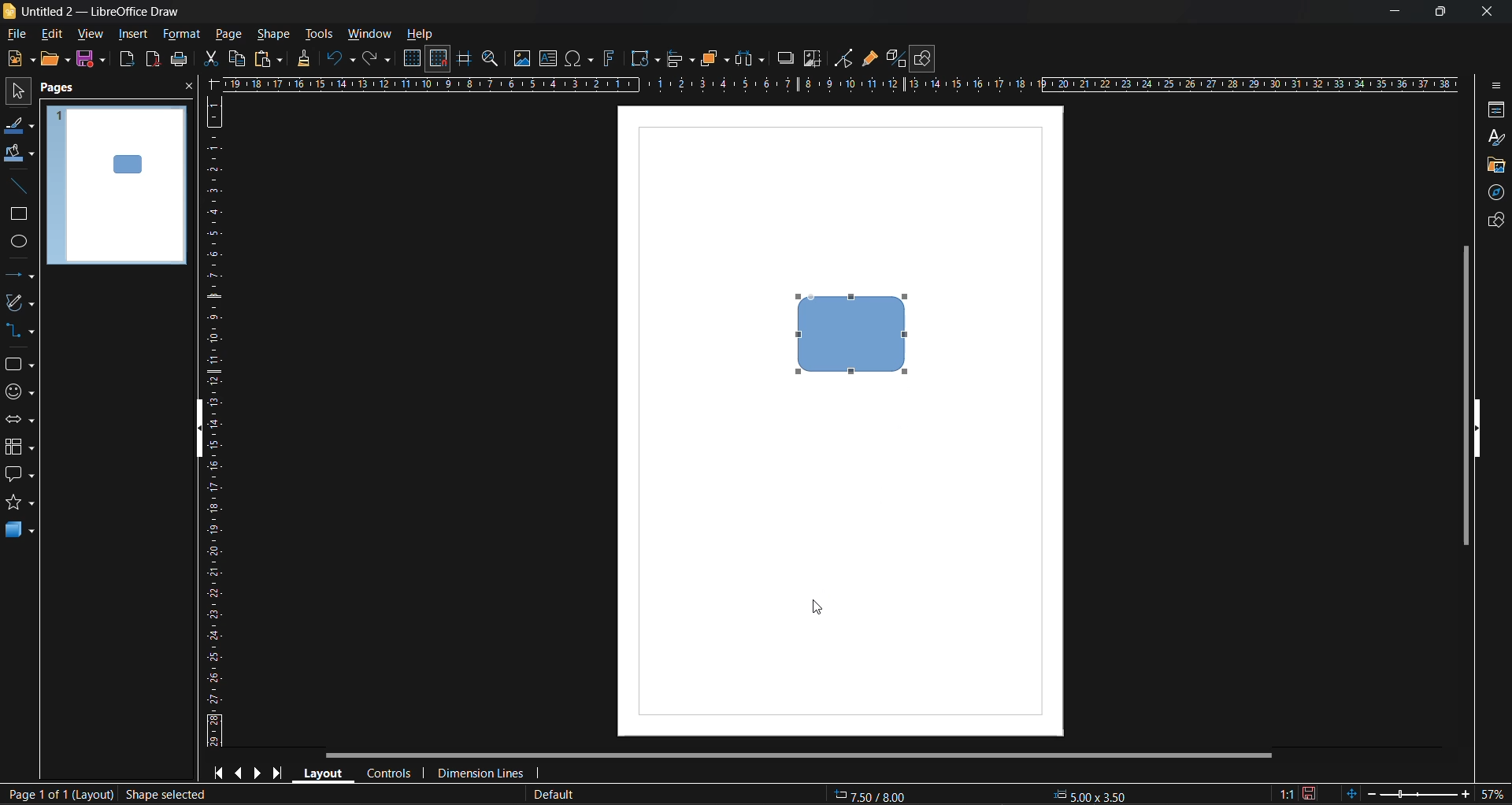 The width and height of the screenshot is (1512, 805). Describe the element at coordinates (752, 59) in the screenshot. I see `distribute` at that location.